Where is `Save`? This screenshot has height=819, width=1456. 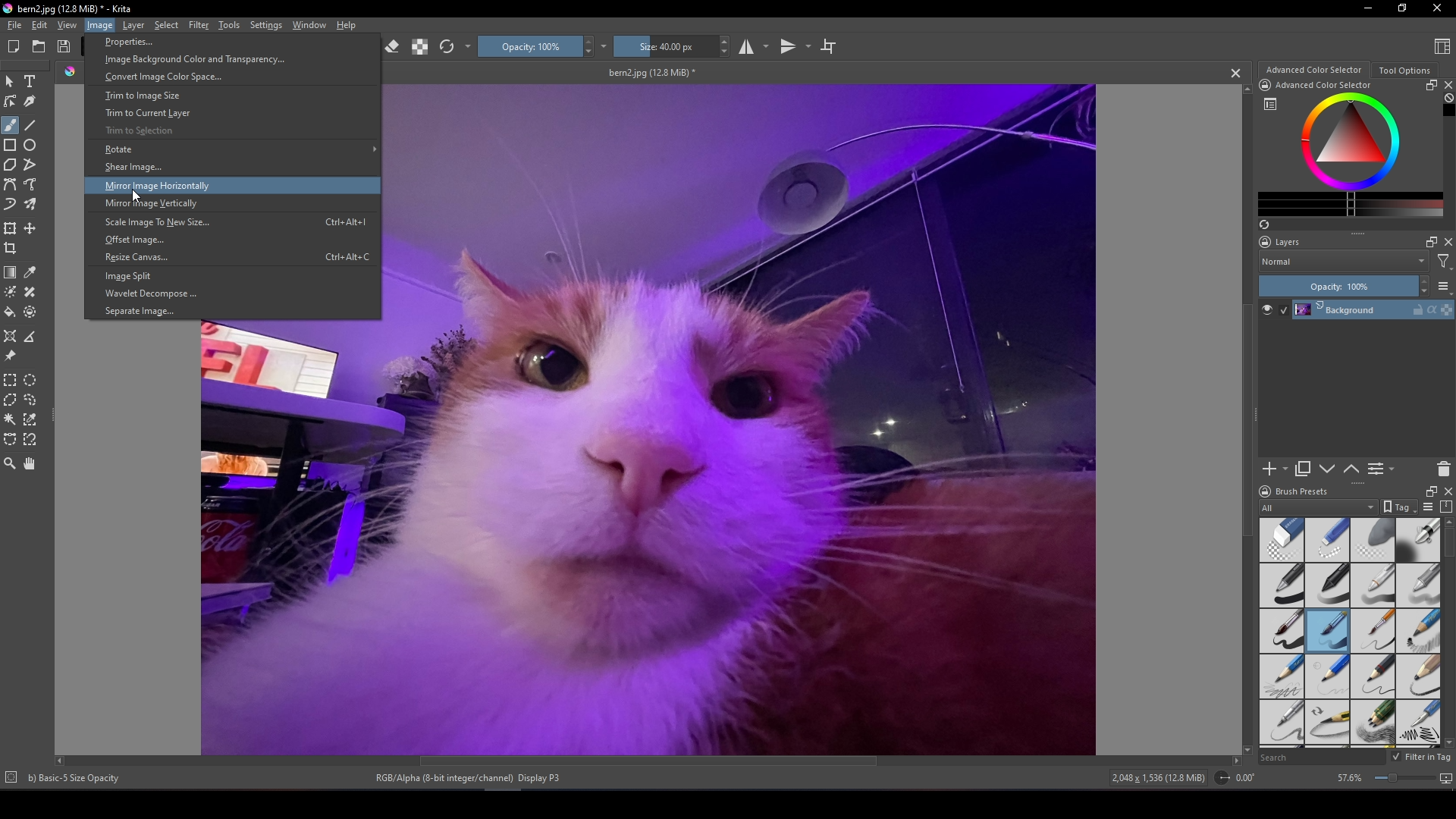
Save is located at coordinates (64, 45).